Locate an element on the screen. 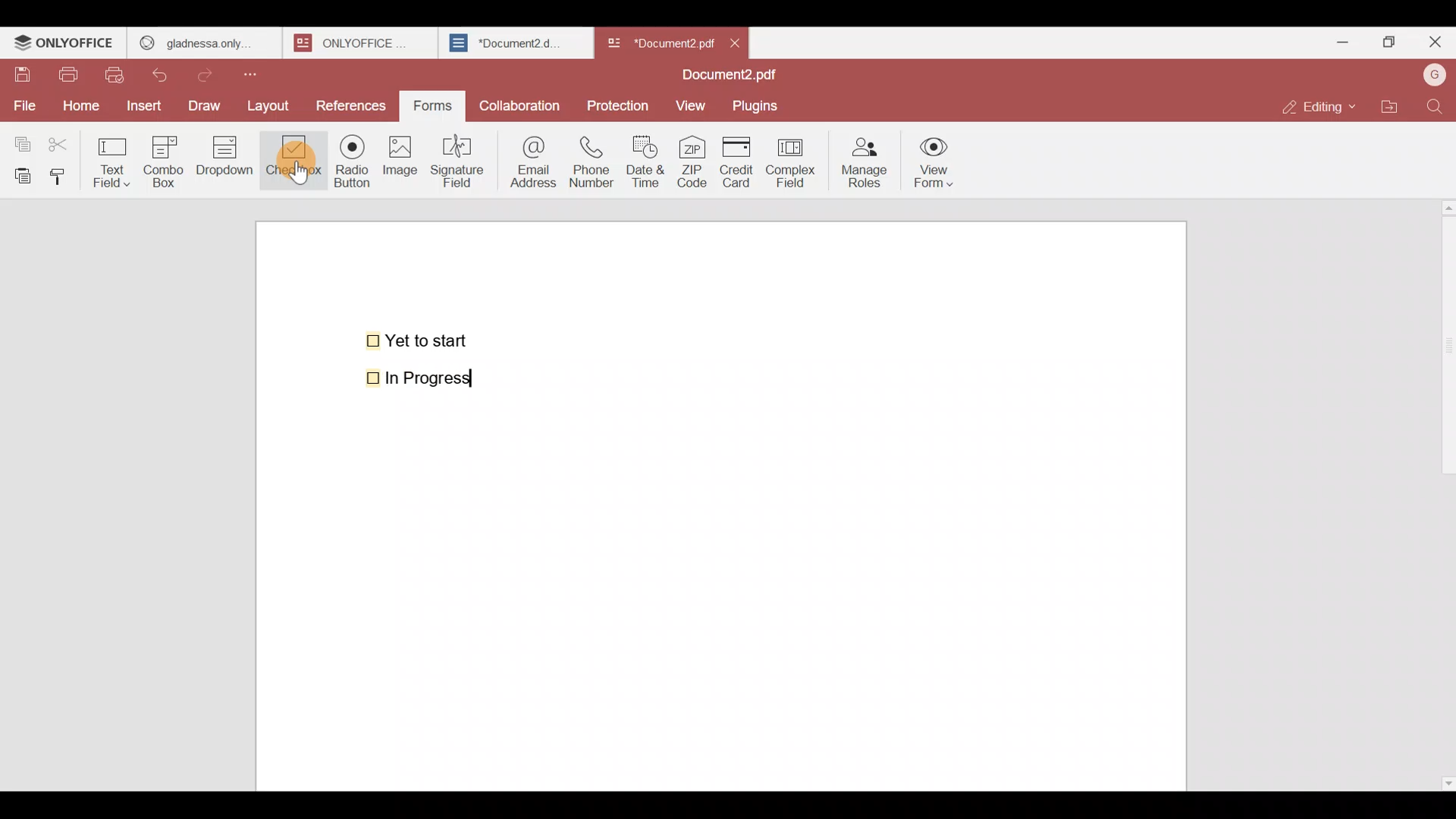 This screenshot has height=819, width=1456. Close is located at coordinates (1434, 45).